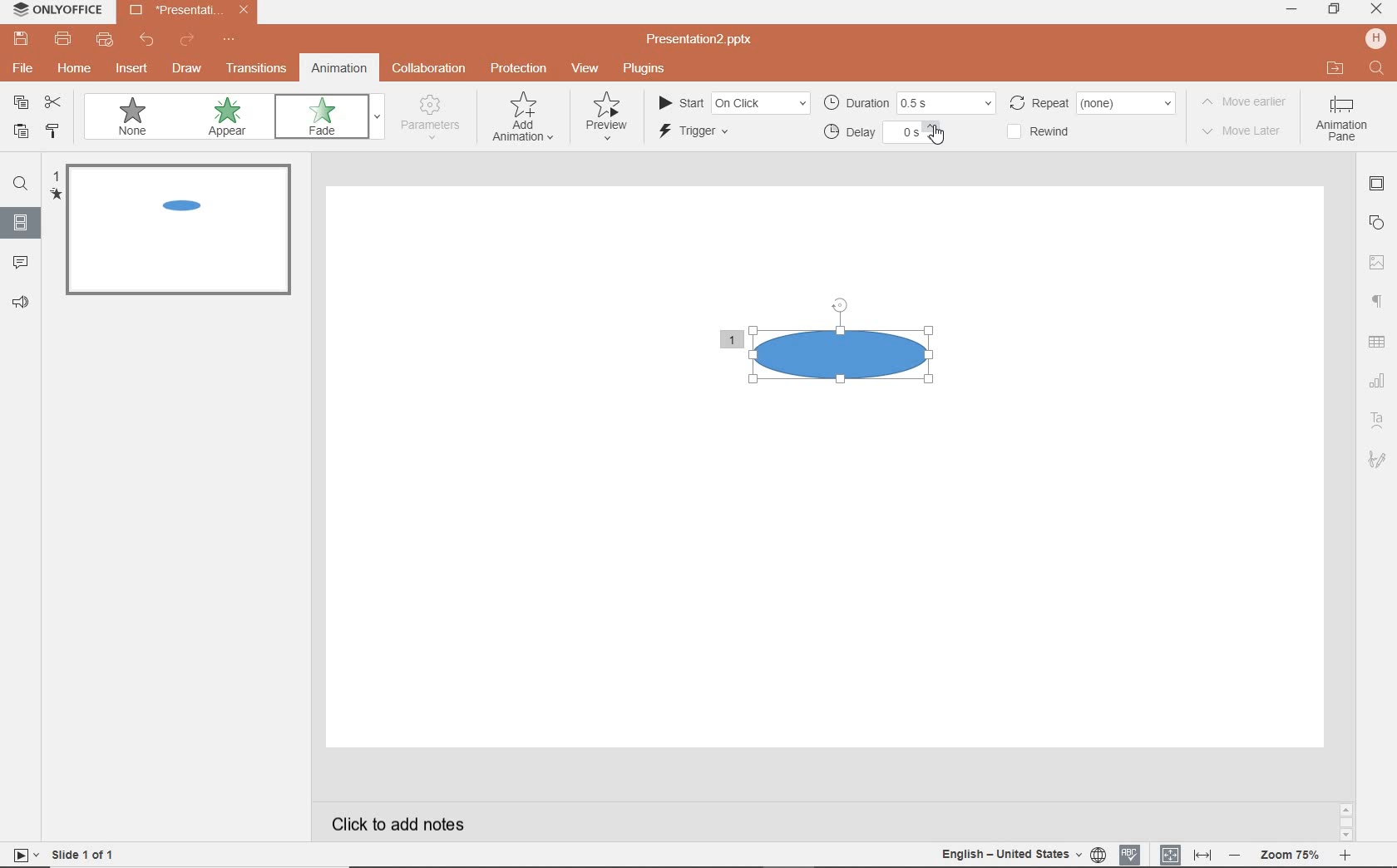 This screenshot has height=868, width=1397. I want to click on shape with animation effect, so click(842, 351).